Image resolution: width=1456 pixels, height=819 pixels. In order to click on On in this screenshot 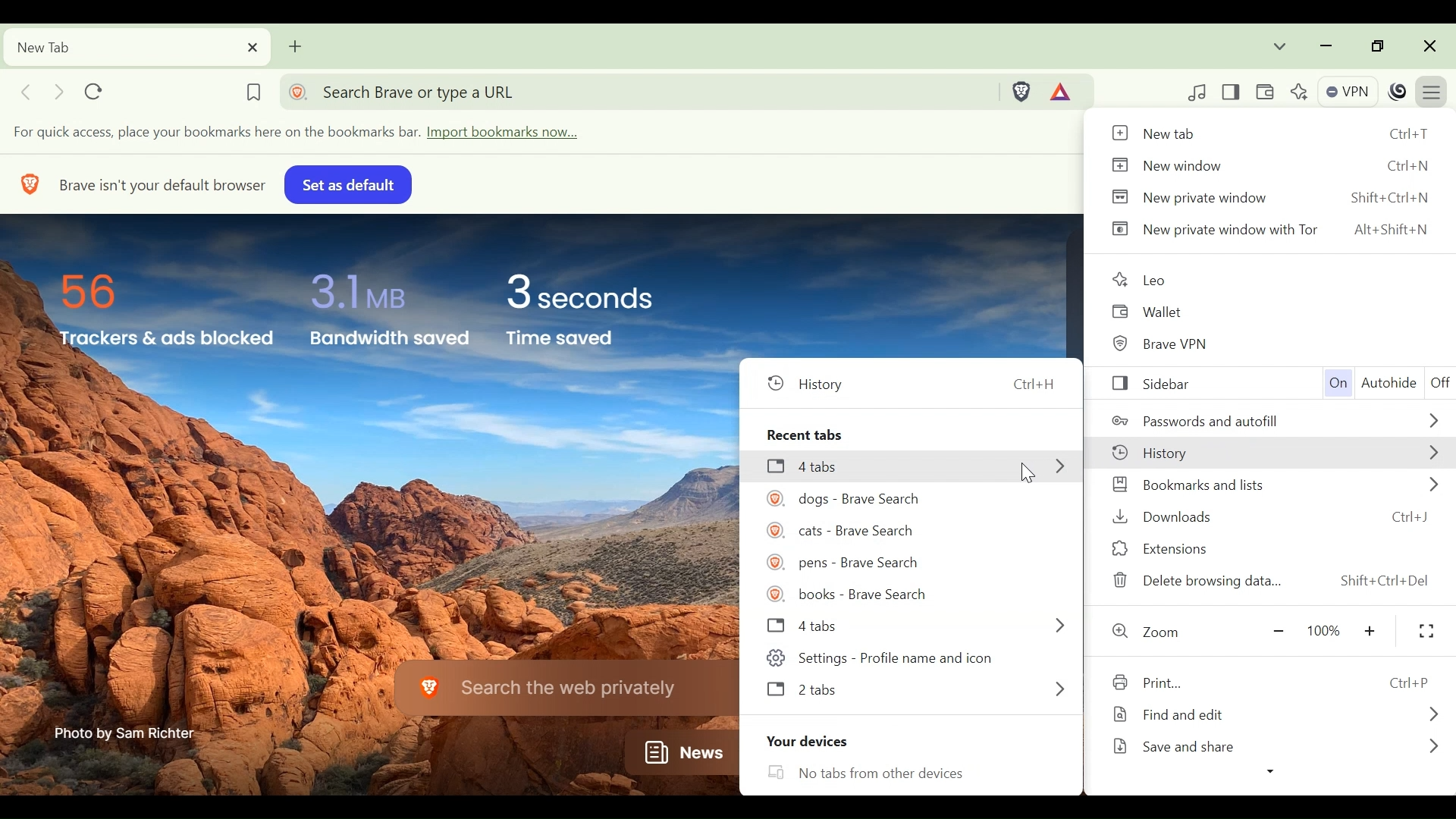, I will do `click(1335, 383)`.